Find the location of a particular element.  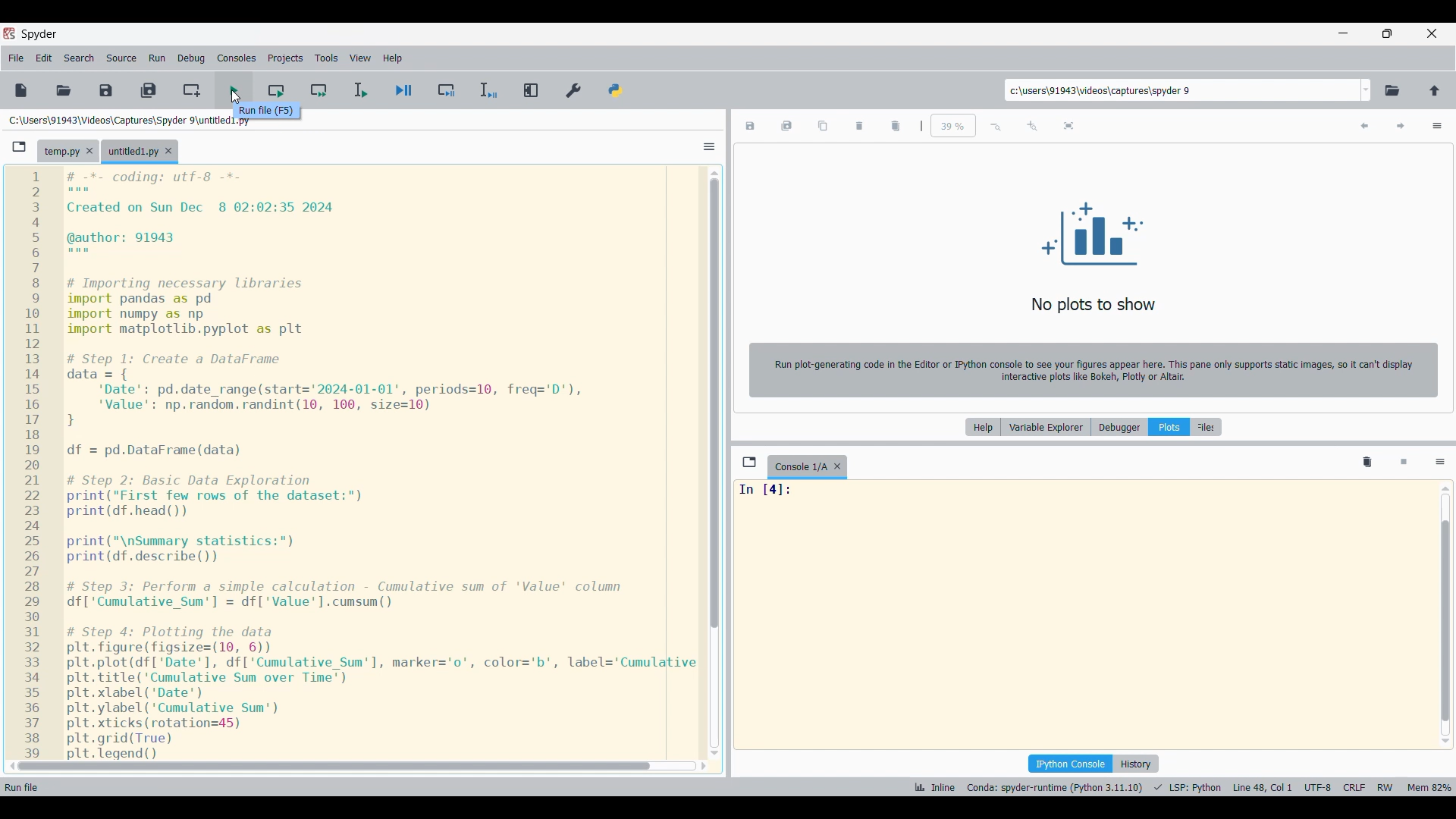

Vertical slide bar is located at coordinates (715, 463).